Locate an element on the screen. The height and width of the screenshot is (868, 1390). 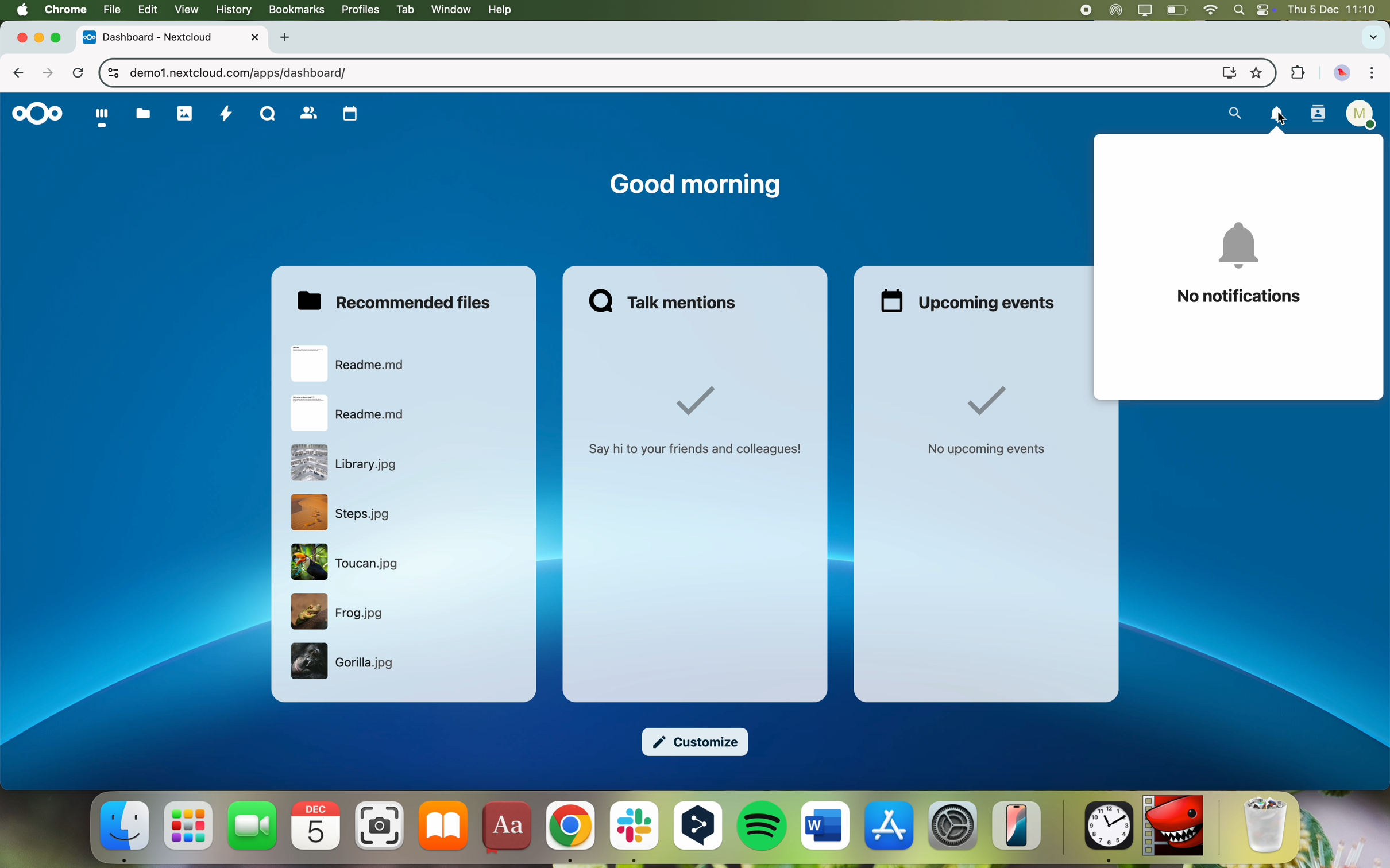
FaceTime is located at coordinates (253, 826).